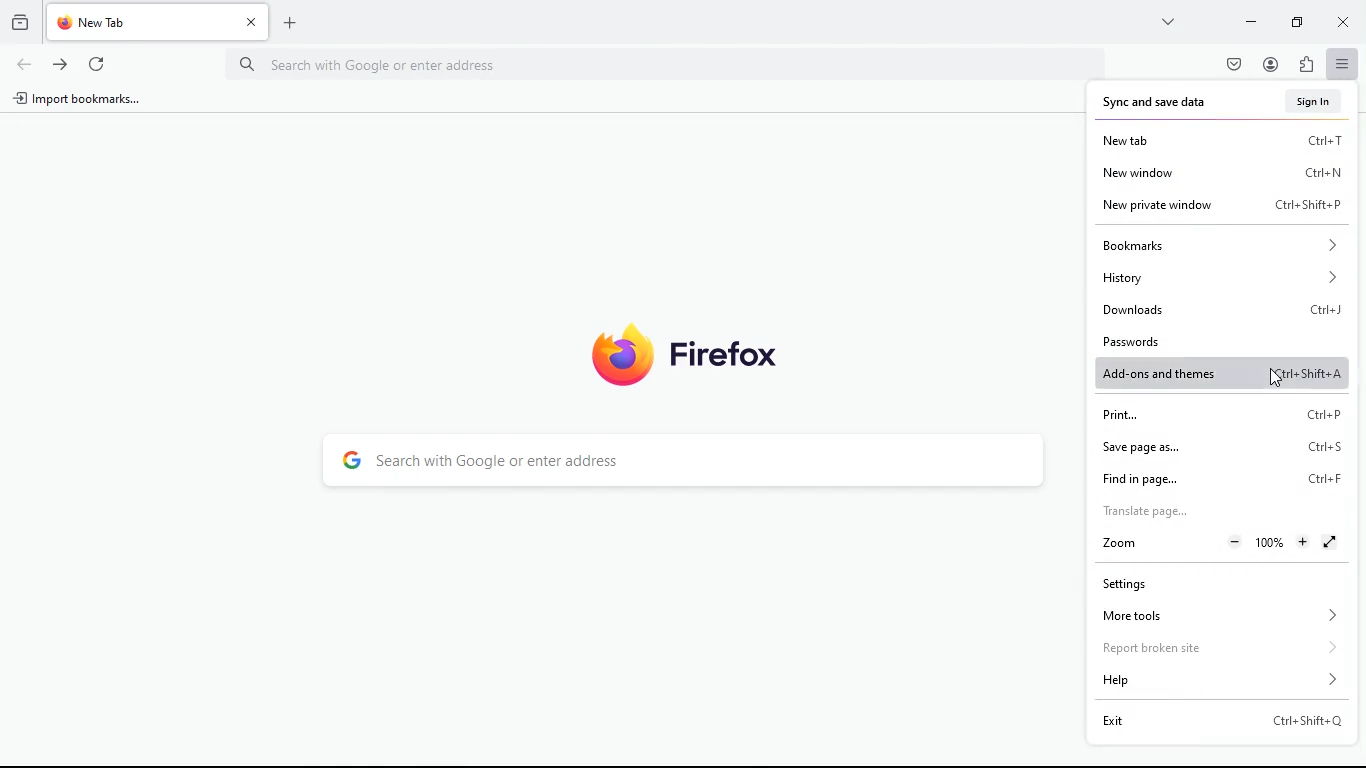  What do you see at coordinates (1169, 22) in the screenshot?
I see `more` at bounding box center [1169, 22].